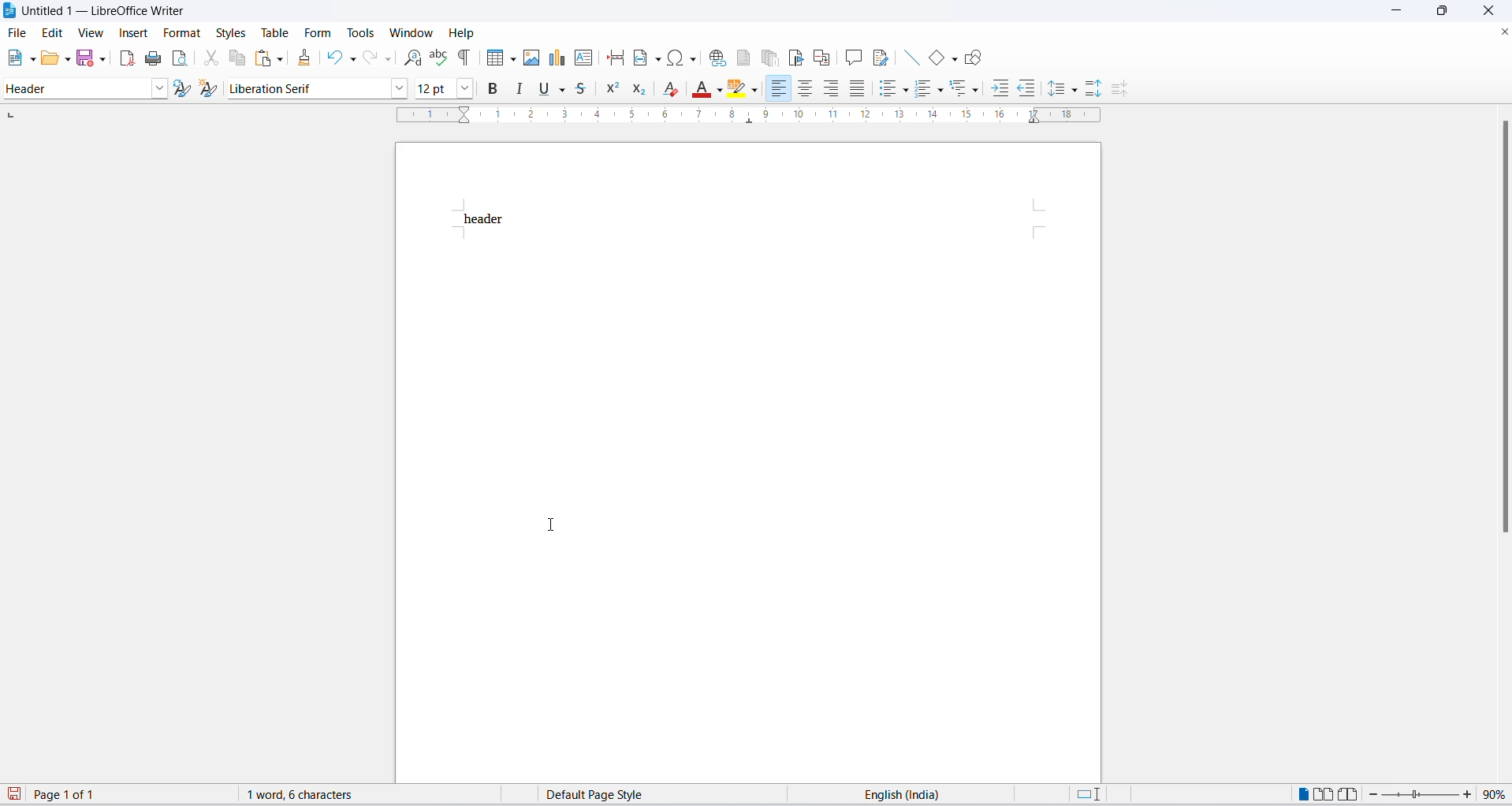 Image resolution: width=1512 pixels, height=806 pixels. Describe the element at coordinates (483, 218) in the screenshot. I see `header text` at that location.